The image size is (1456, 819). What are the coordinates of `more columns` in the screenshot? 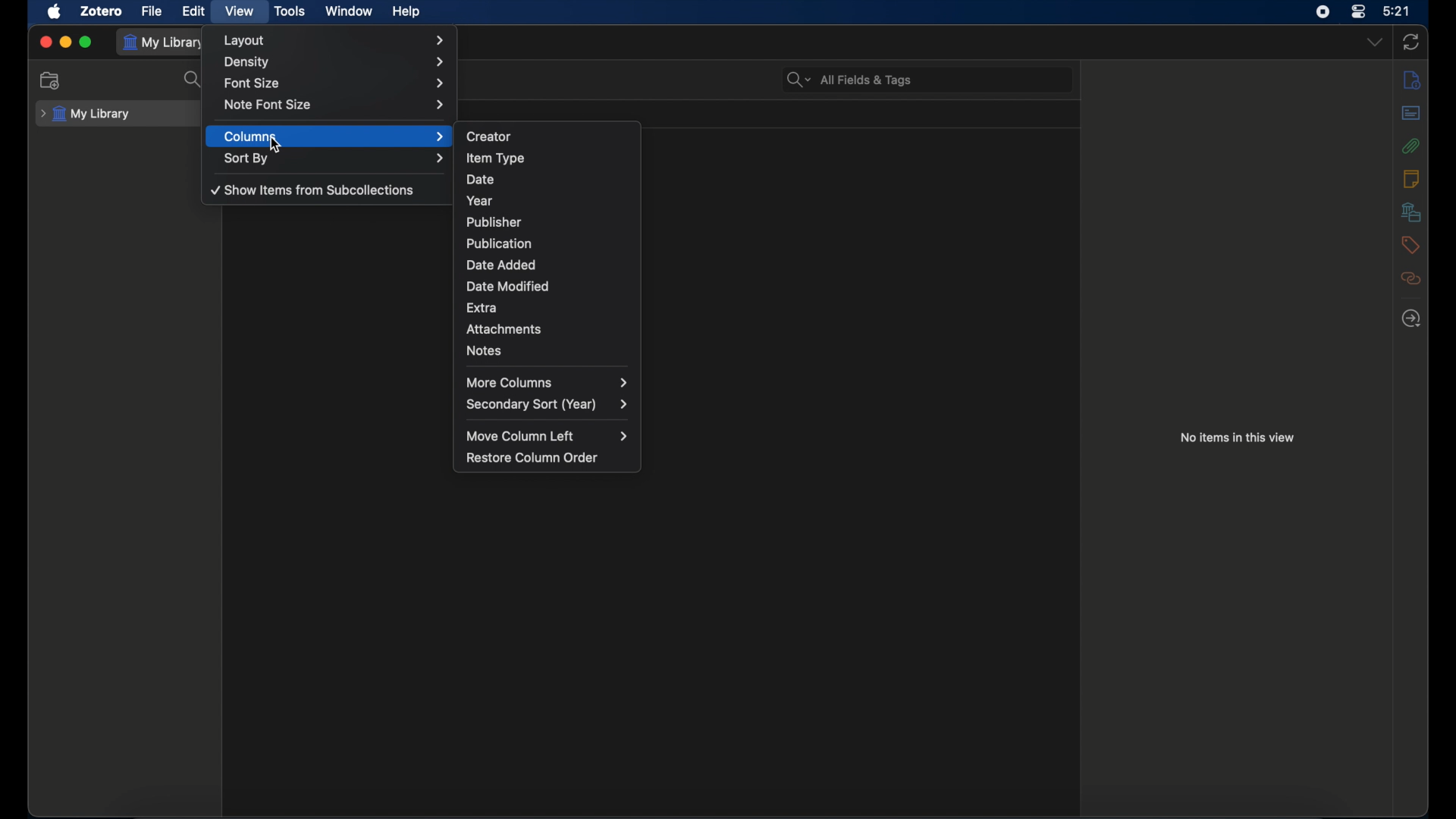 It's located at (547, 382).